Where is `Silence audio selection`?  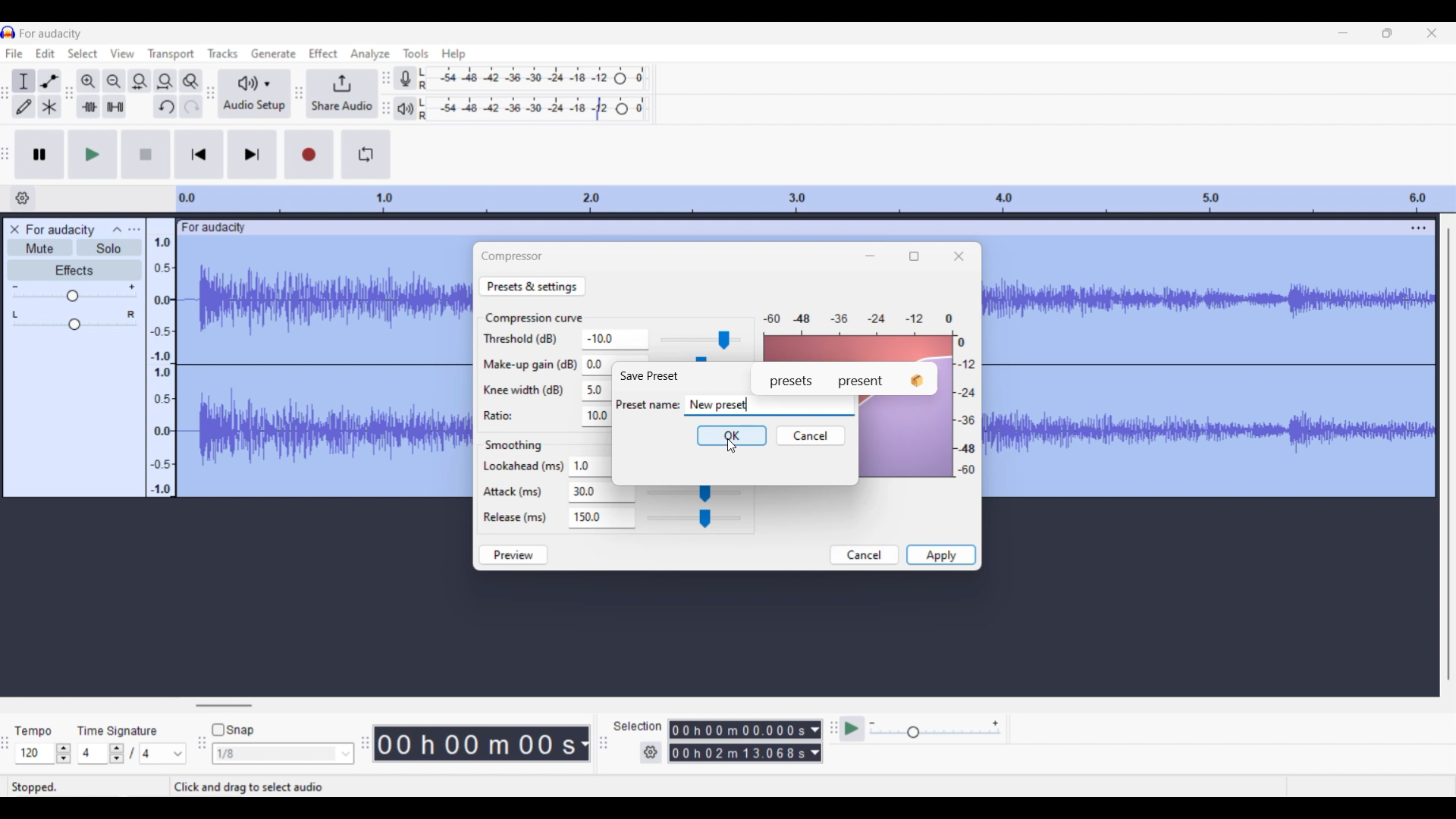
Silence audio selection is located at coordinates (115, 106).